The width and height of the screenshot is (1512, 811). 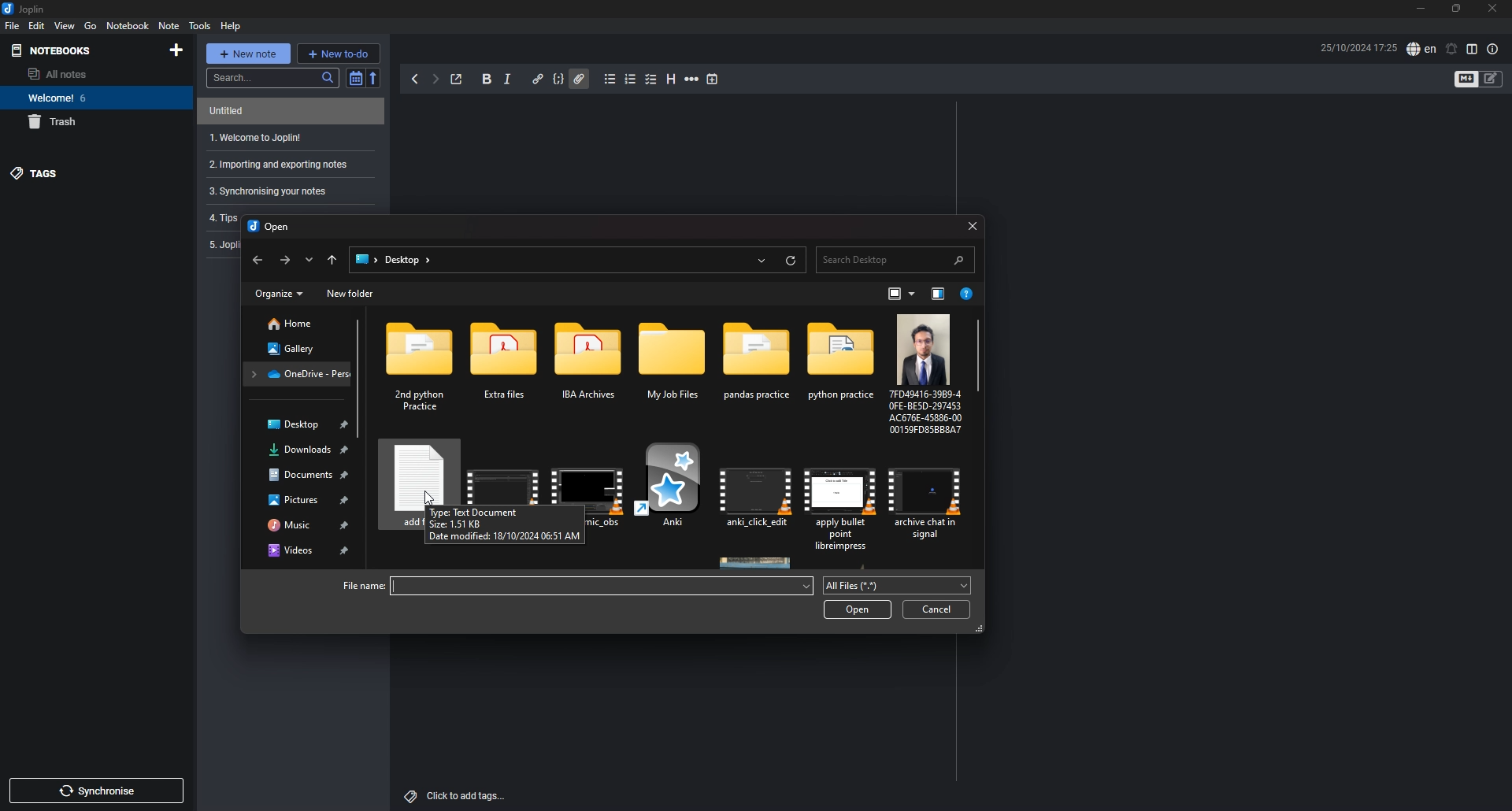 What do you see at coordinates (895, 258) in the screenshot?
I see `search bar` at bounding box center [895, 258].